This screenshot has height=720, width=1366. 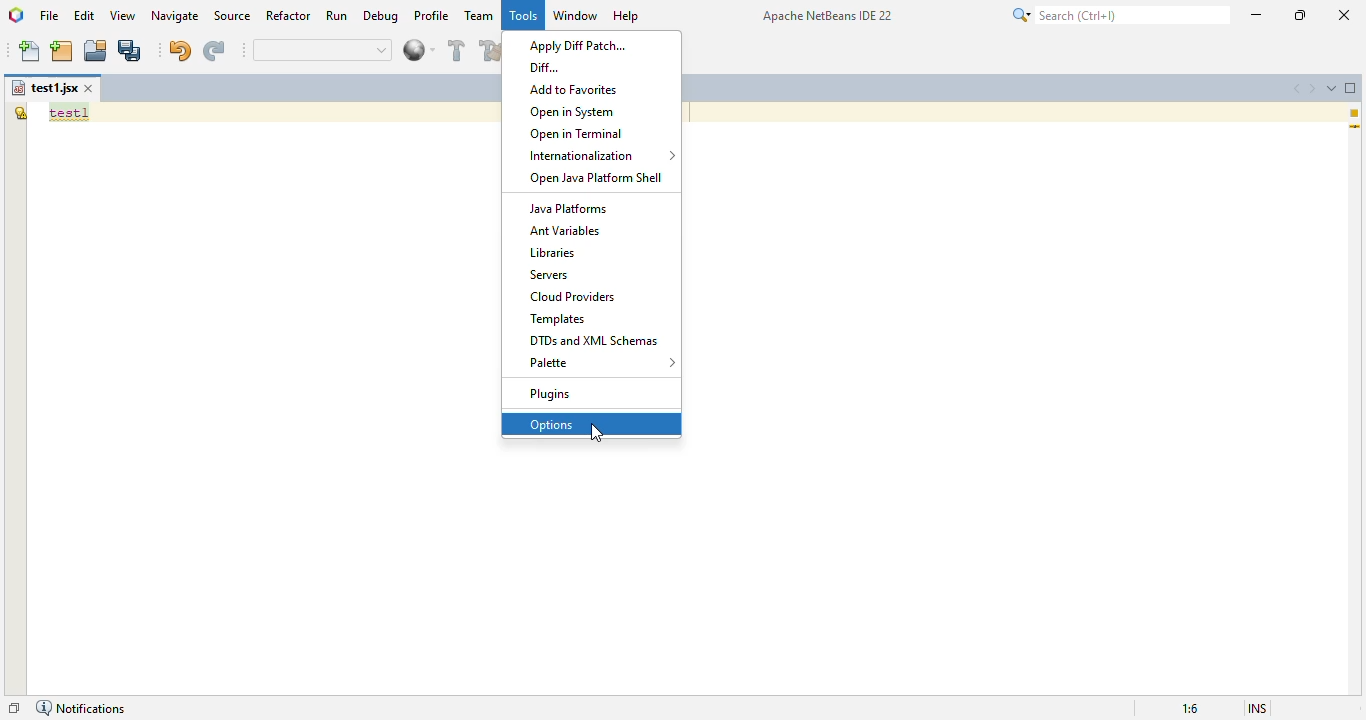 I want to click on servers, so click(x=549, y=274).